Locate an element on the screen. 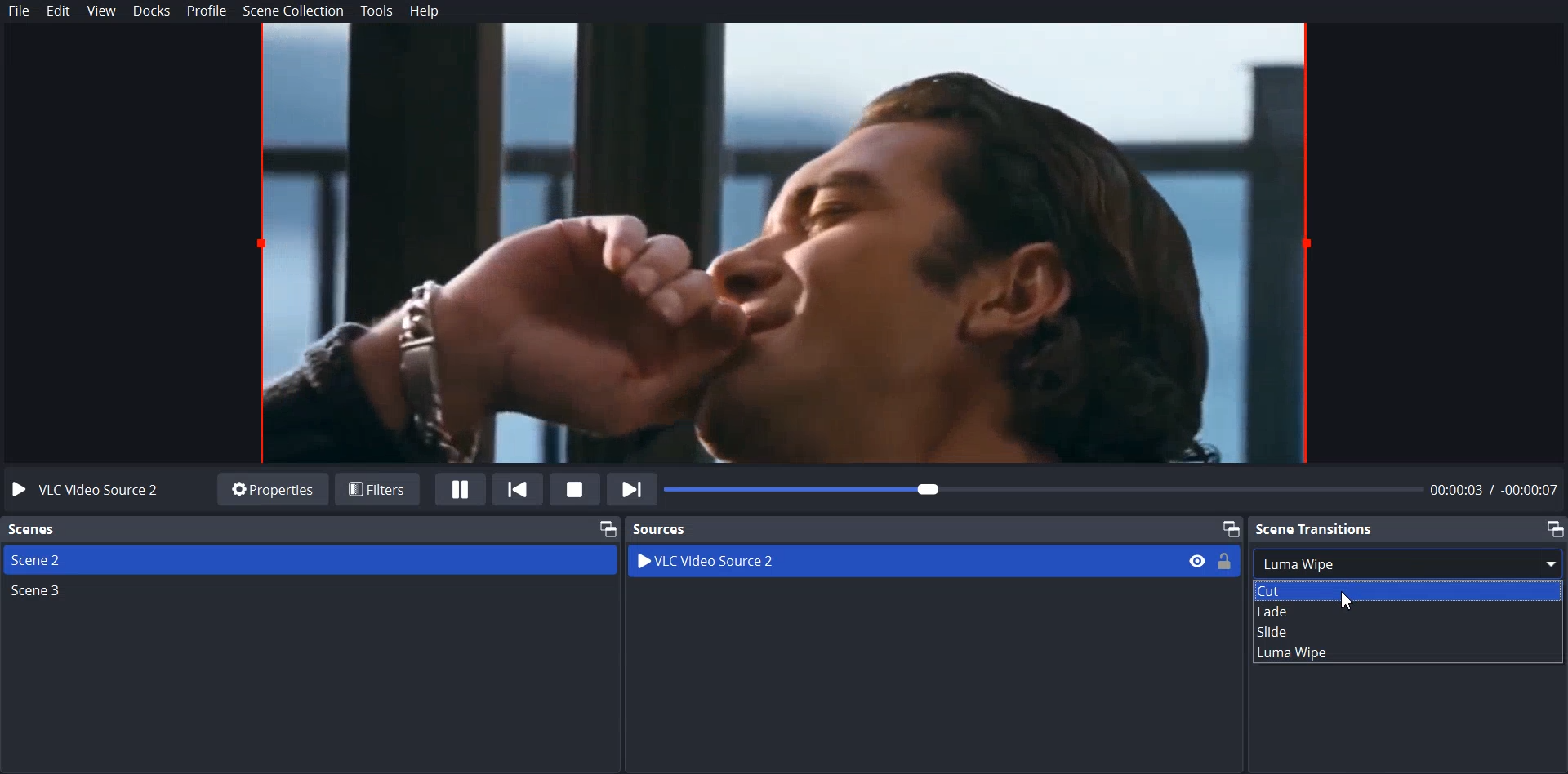  Next in Playlist is located at coordinates (632, 488).